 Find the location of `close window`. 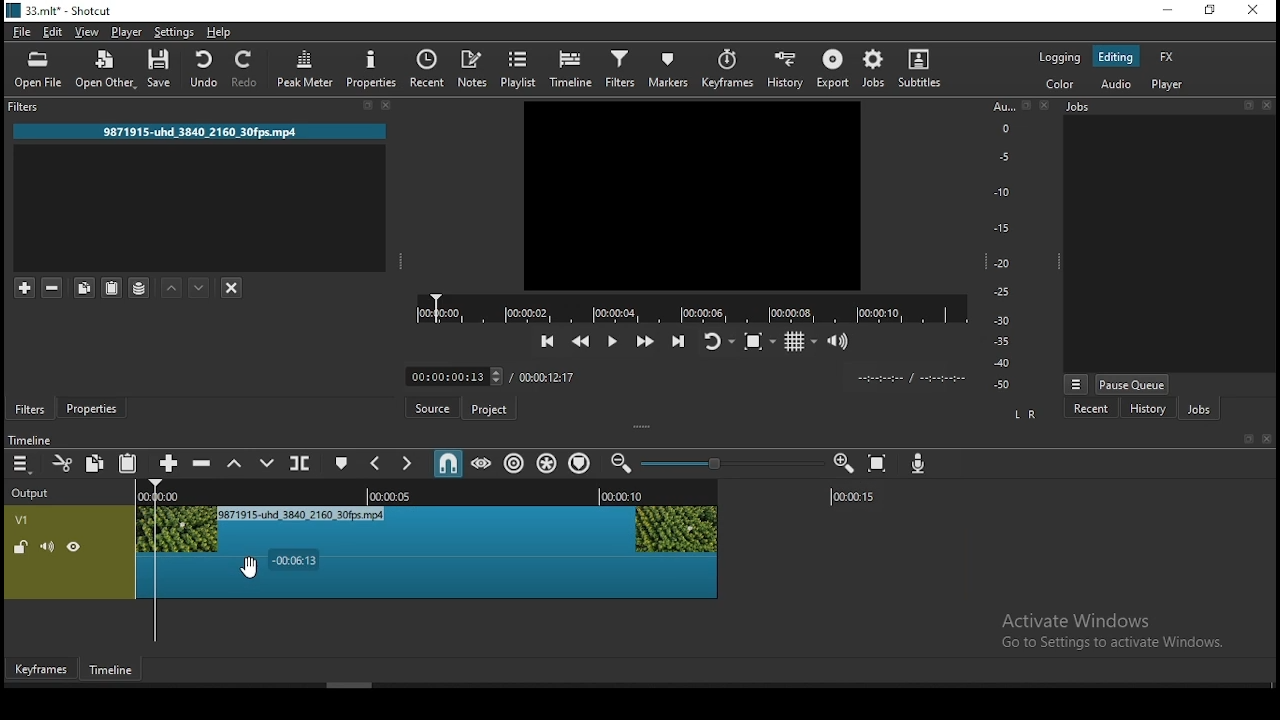

close window is located at coordinates (1253, 11).